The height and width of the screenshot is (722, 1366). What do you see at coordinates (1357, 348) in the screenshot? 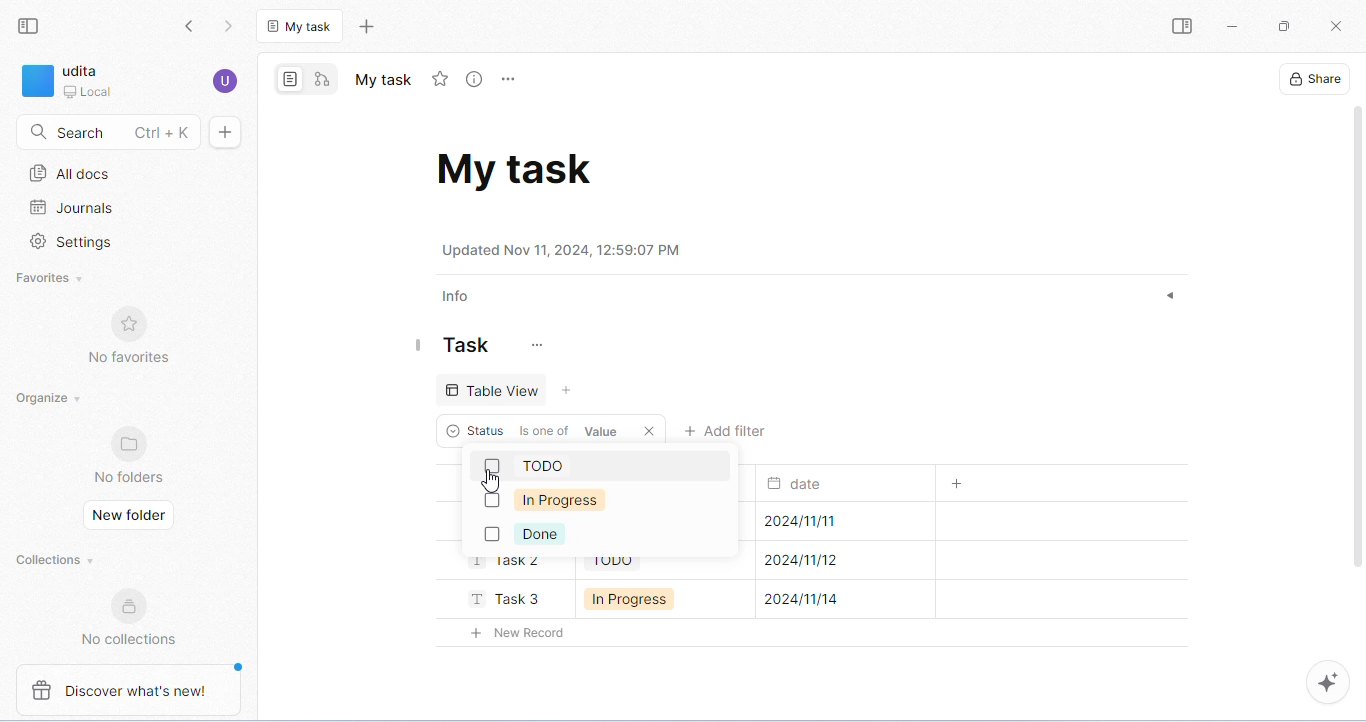
I see `vertical scroll bar` at bounding box center [1357, 348].